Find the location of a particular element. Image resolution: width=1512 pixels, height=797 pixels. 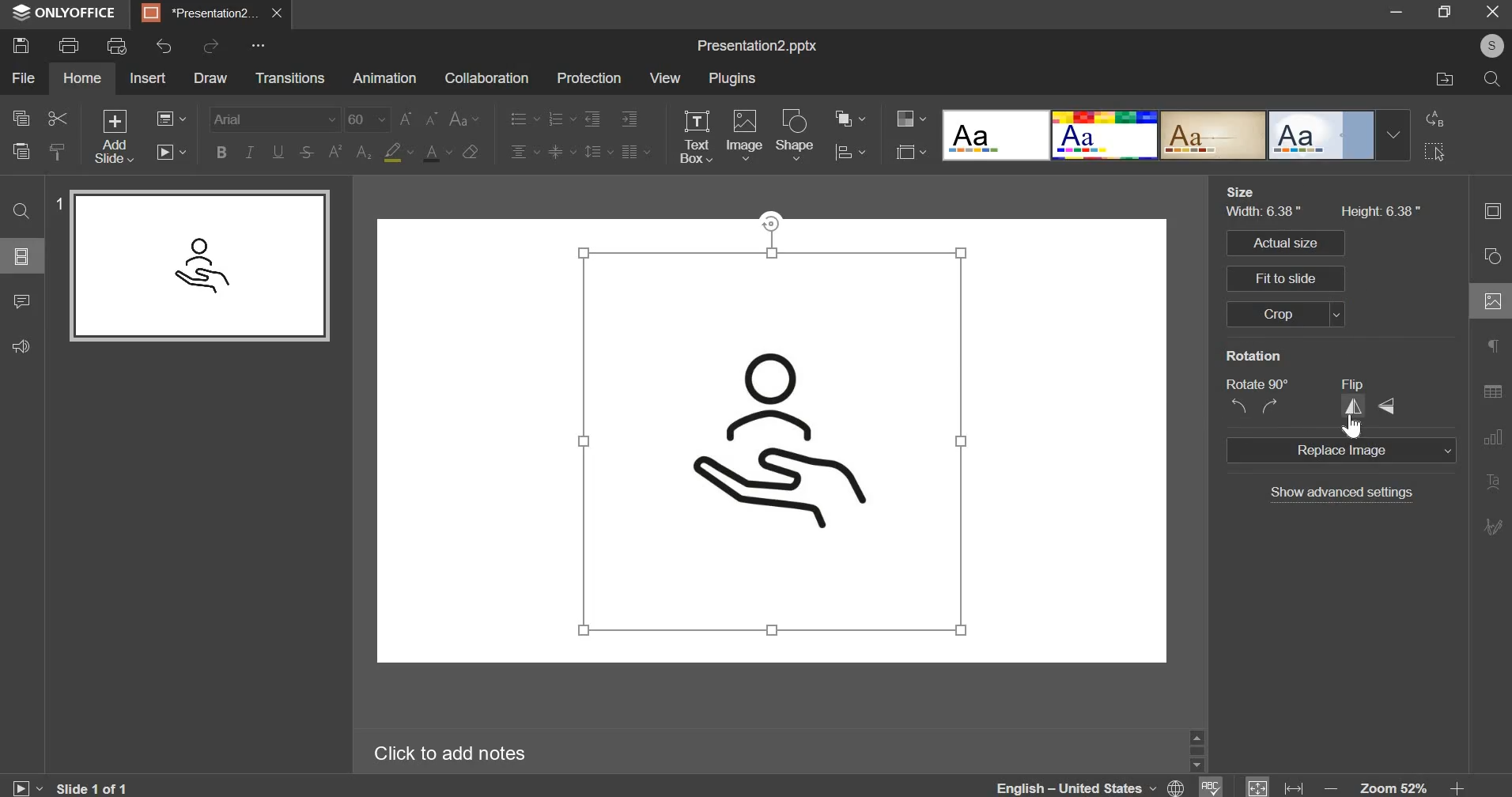

transitions is located at coordinates (289, 77).